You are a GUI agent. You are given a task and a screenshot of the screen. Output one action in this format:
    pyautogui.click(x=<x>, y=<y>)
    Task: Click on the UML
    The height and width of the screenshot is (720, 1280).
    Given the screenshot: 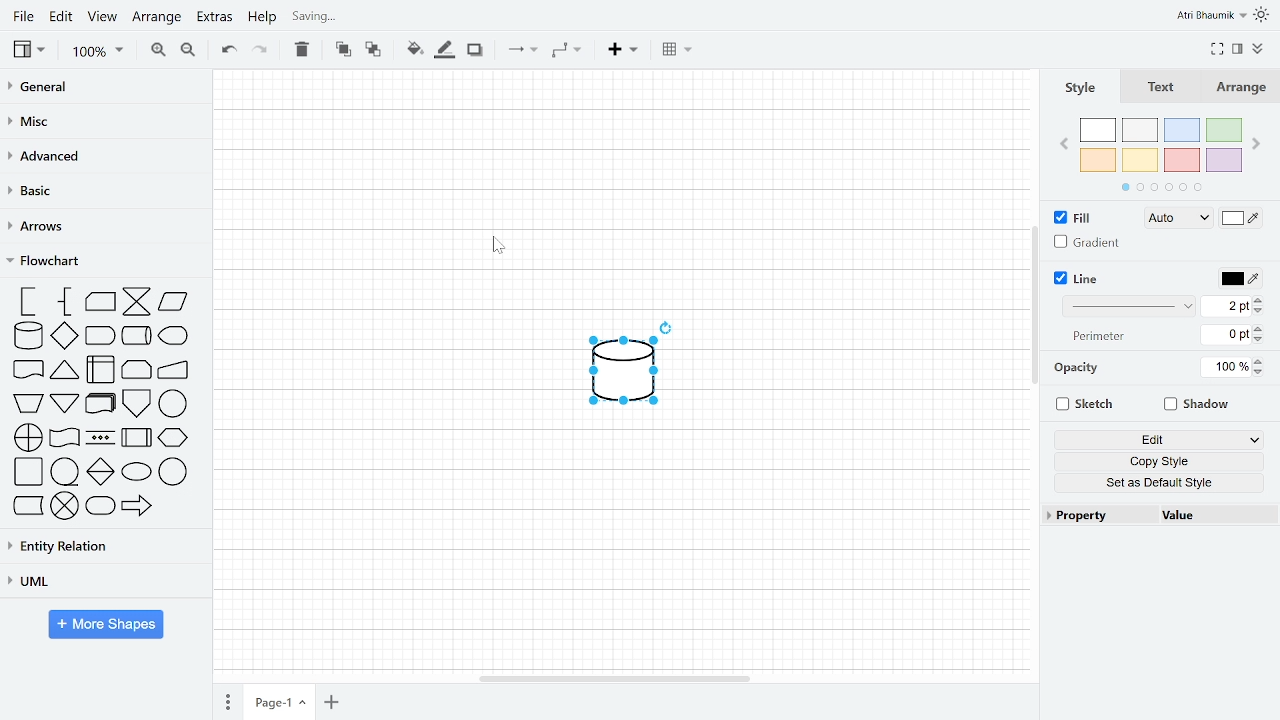 What is the action you would take?
    pyautogui.click(x=98, y=581)
    